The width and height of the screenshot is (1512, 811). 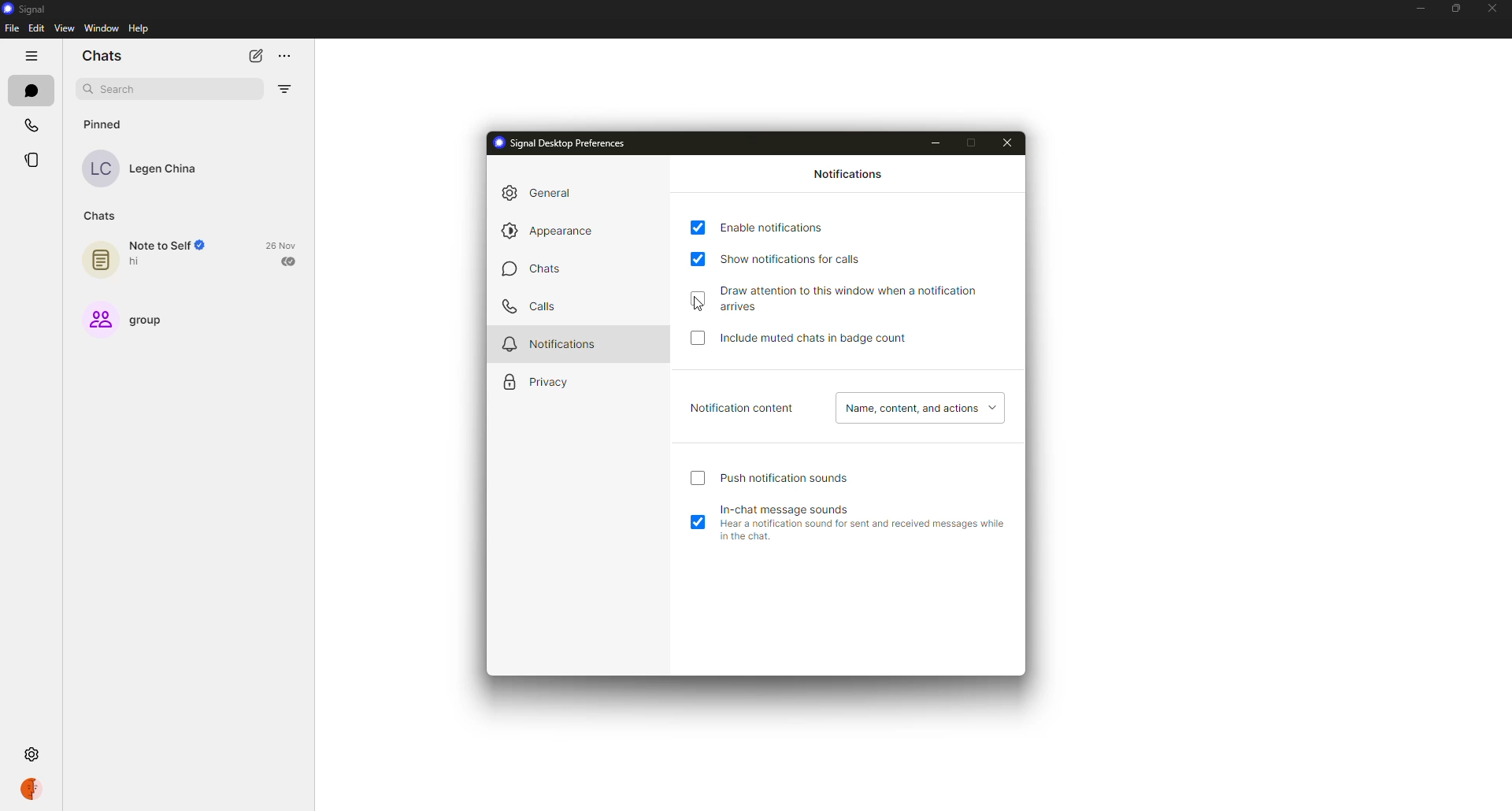 What do you see at coordinates (534, 271) in the screenshot?
I see `chats` at bounding box center [534, 271].